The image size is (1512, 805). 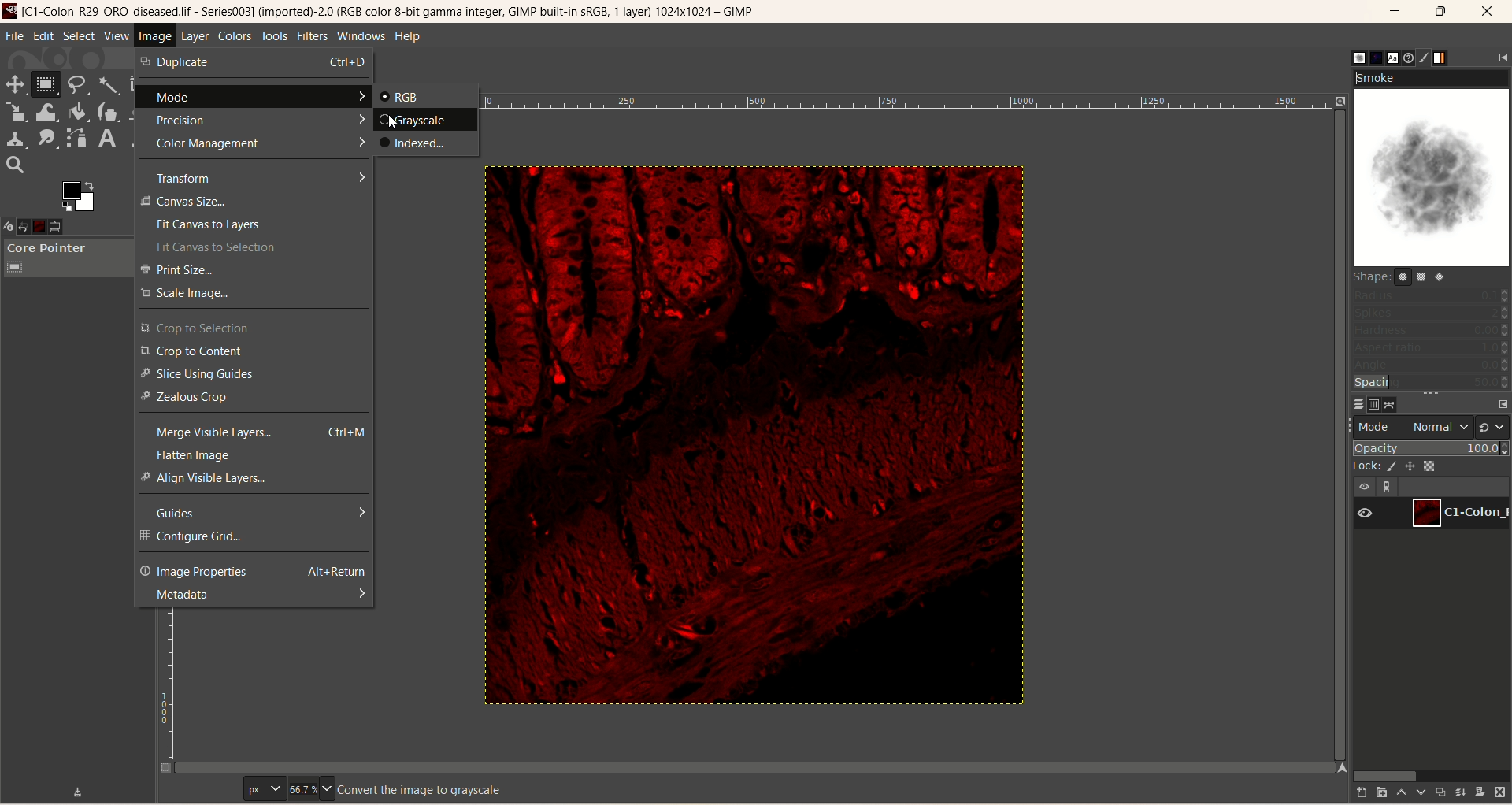 I want to click on view, so click(x=117, y=35).